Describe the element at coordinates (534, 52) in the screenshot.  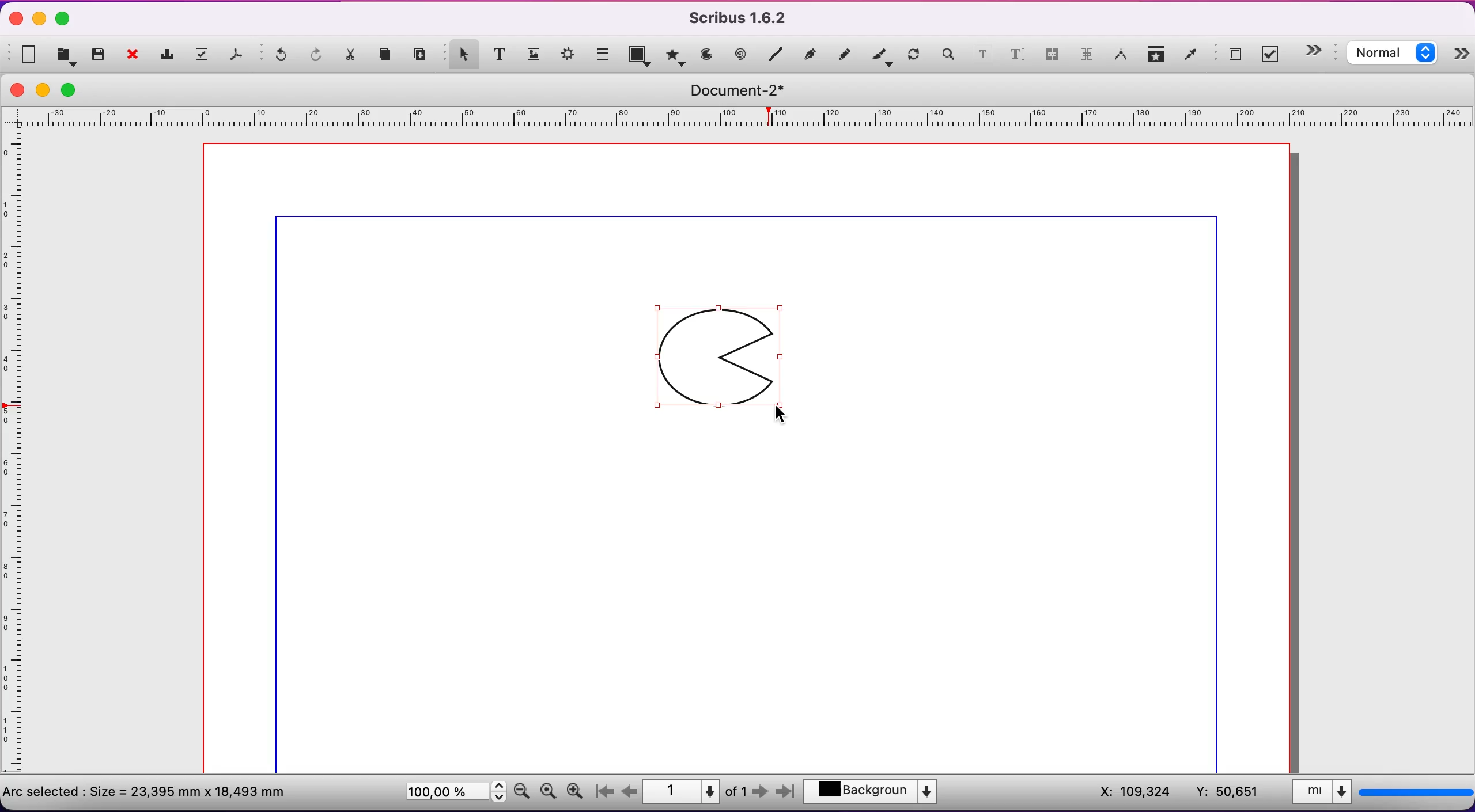
I see `image frame` at that location.